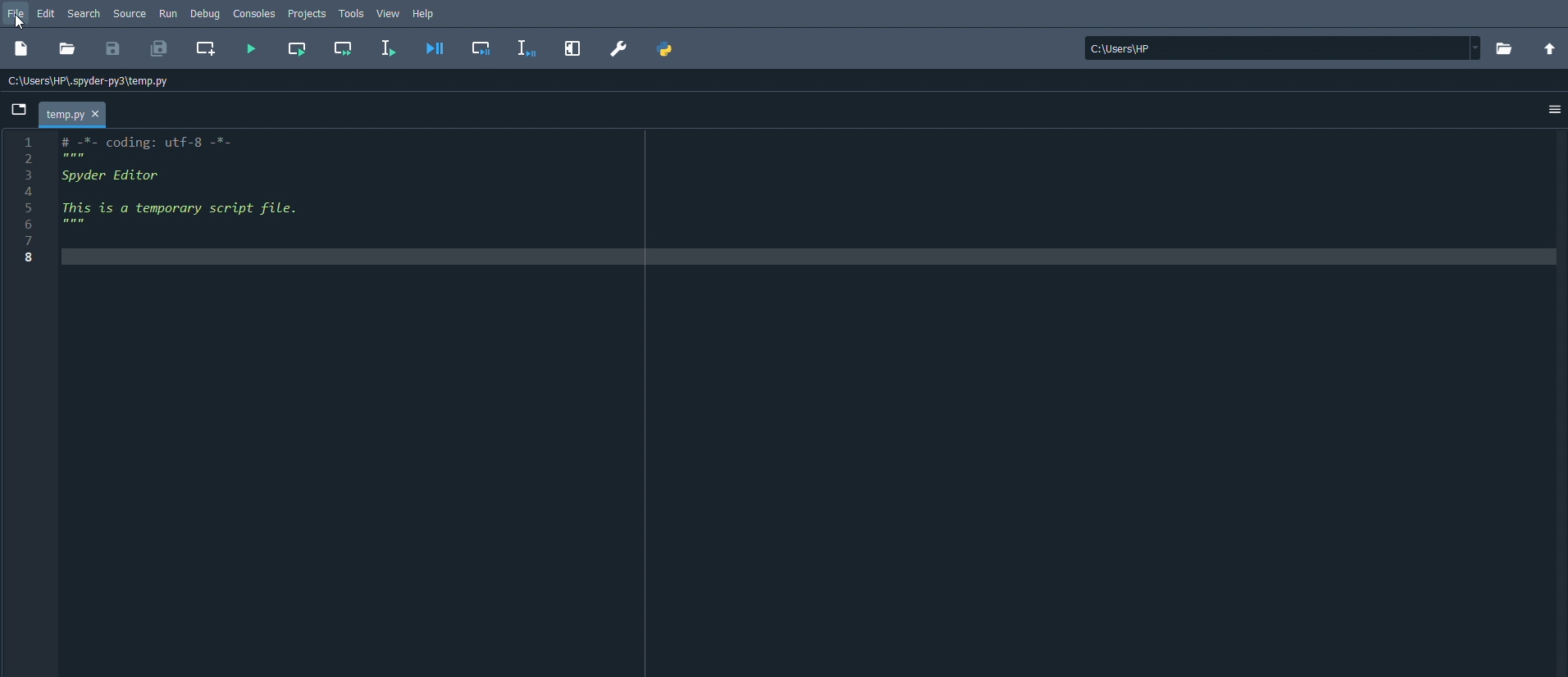  What do you see at coordinates (159, 49) in the screenshot?
I see `Save all files` at bounding box center [159, 49].